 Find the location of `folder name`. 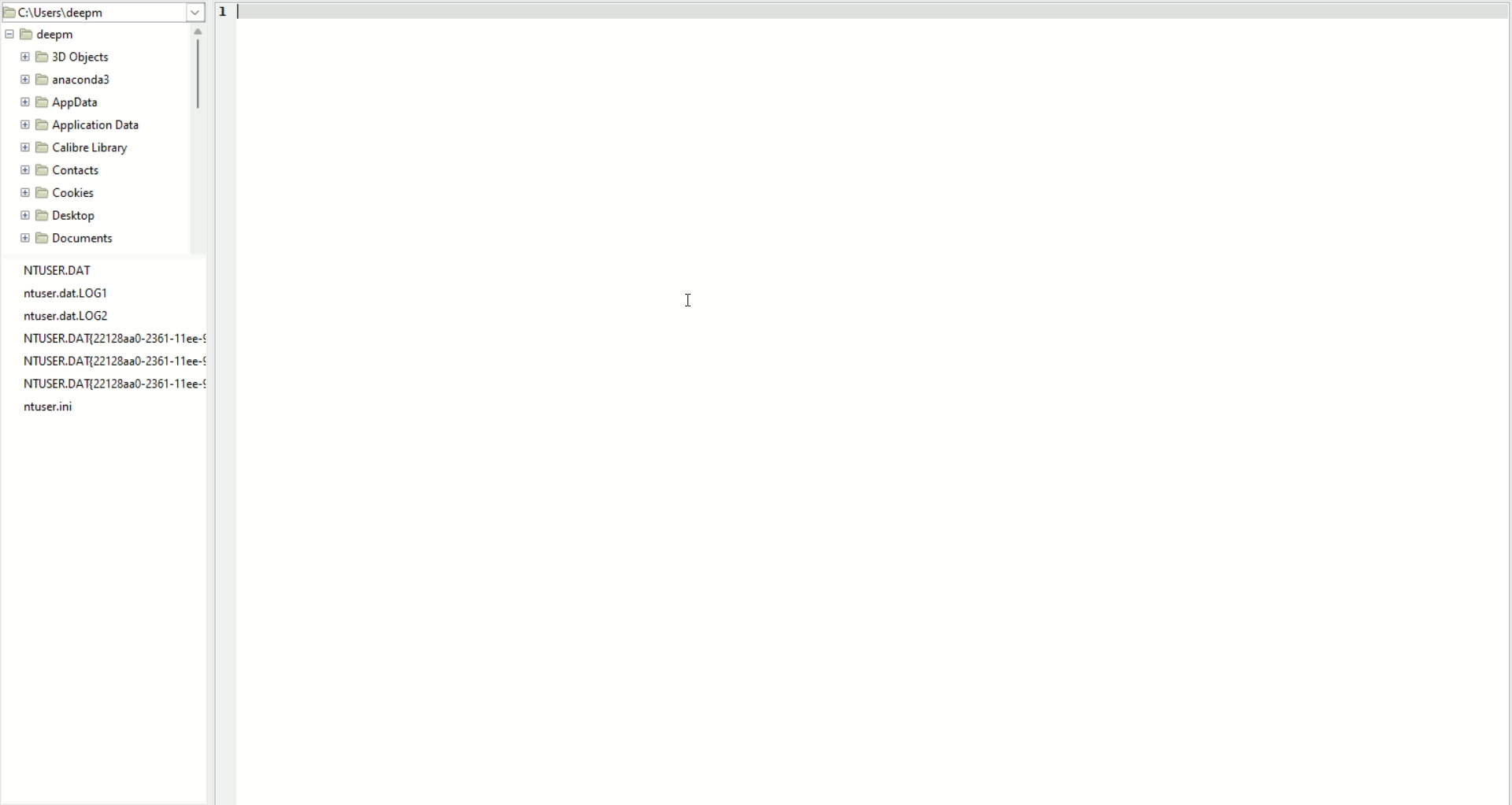

folder name is located at coordinates (62, 103).